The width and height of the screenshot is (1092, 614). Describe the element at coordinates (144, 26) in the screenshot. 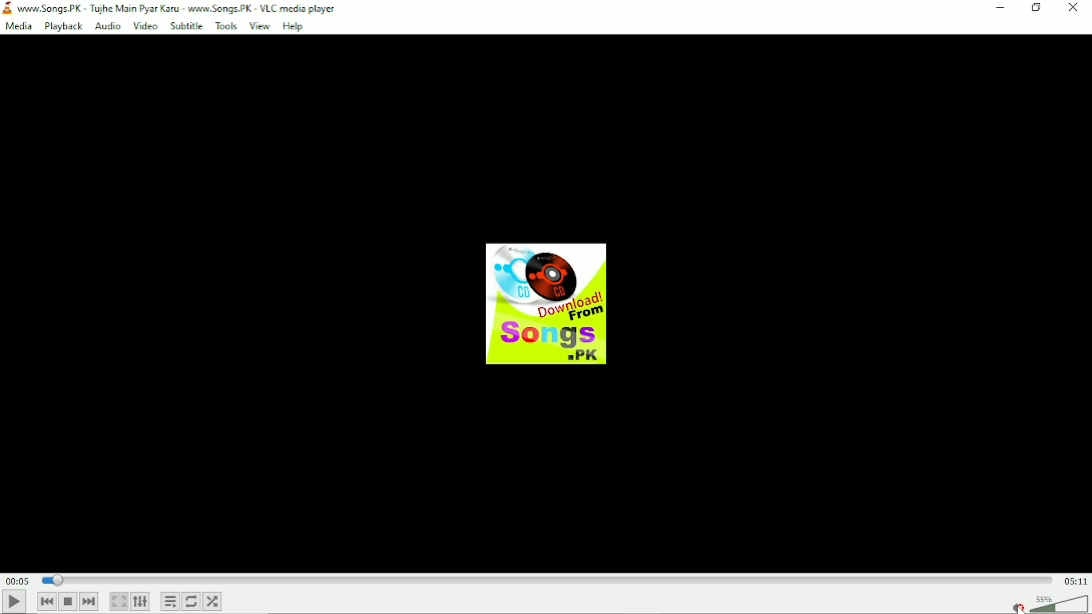

I see `Video` at that location.